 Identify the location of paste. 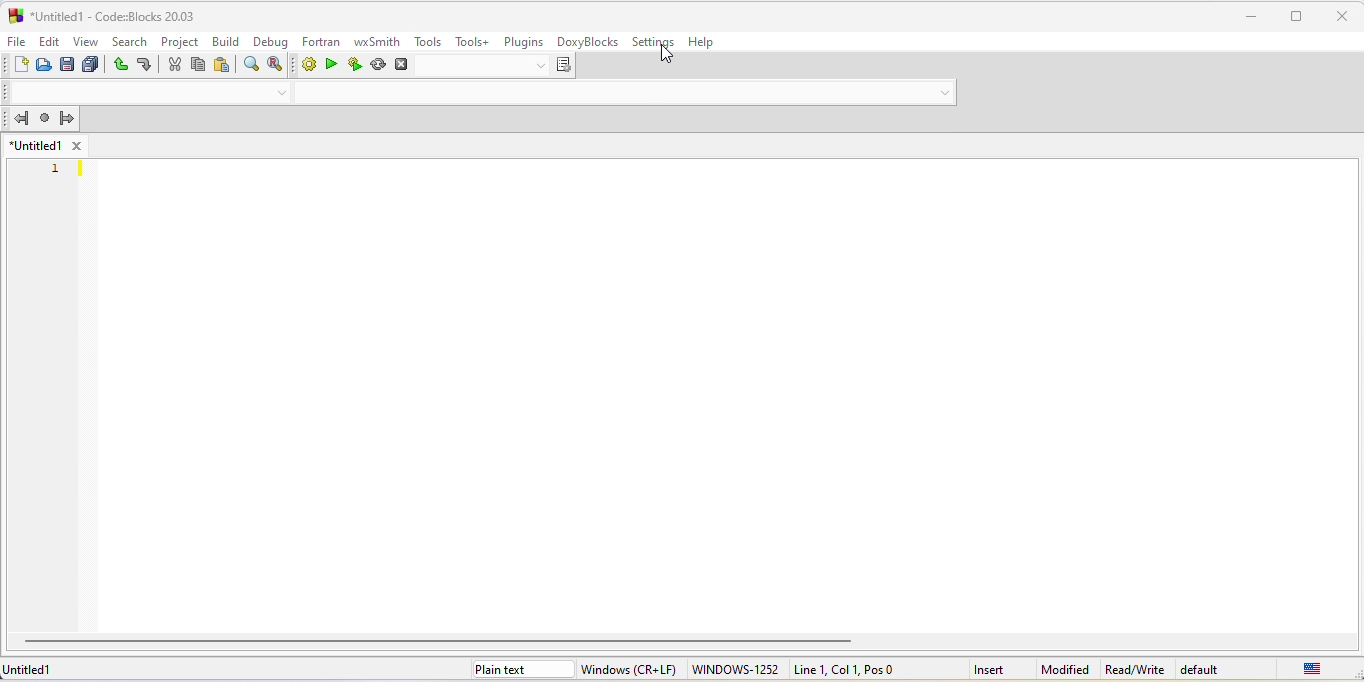
(223, 65).